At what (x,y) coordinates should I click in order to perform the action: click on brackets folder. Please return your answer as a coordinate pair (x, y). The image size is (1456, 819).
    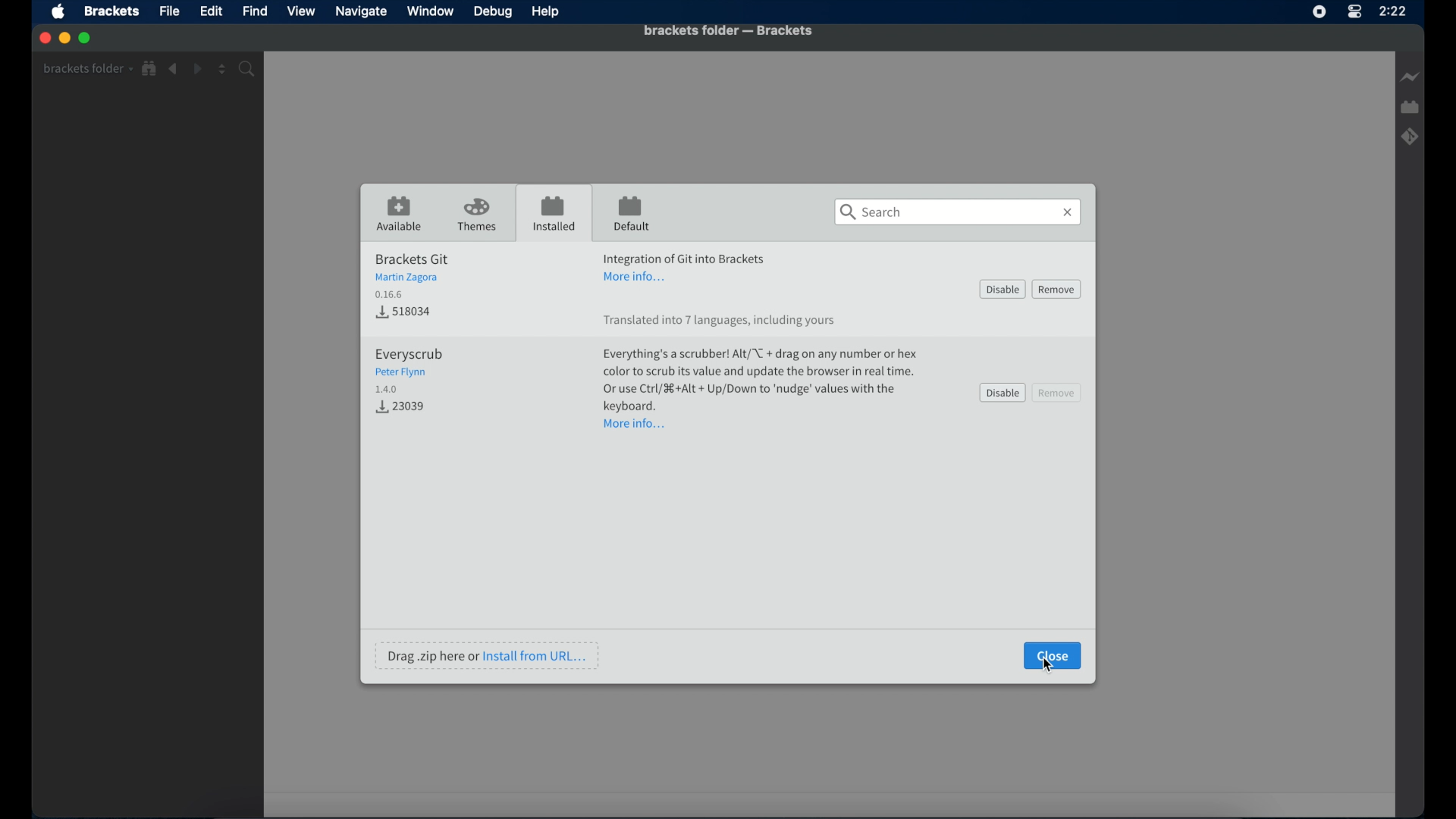
    Looking at the image, I should click on (87, 68).